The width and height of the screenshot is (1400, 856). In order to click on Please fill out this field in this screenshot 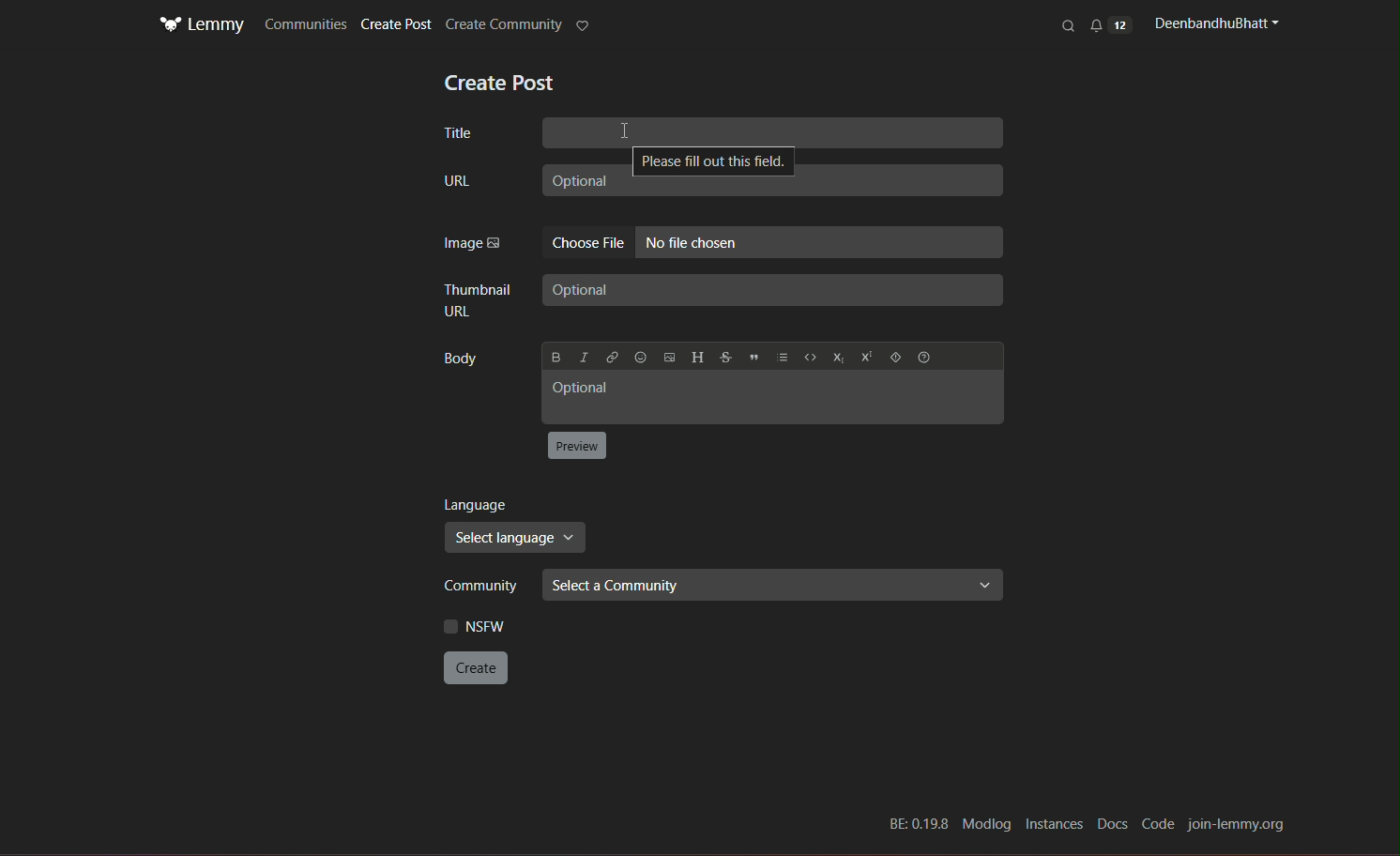, I will do `click(710, 160)`.